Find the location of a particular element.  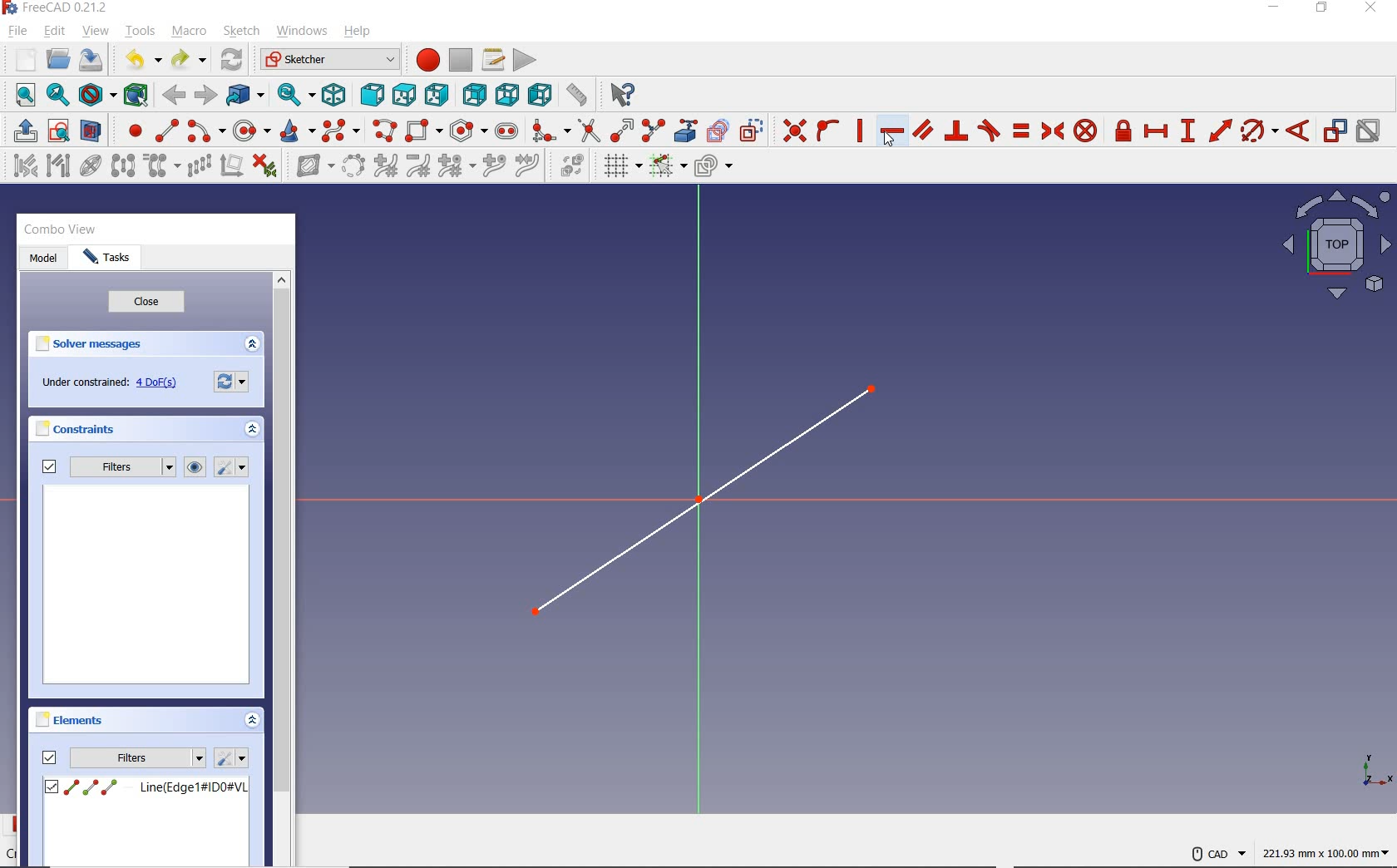

ELEMENTS is located at coordinates (69, 719).